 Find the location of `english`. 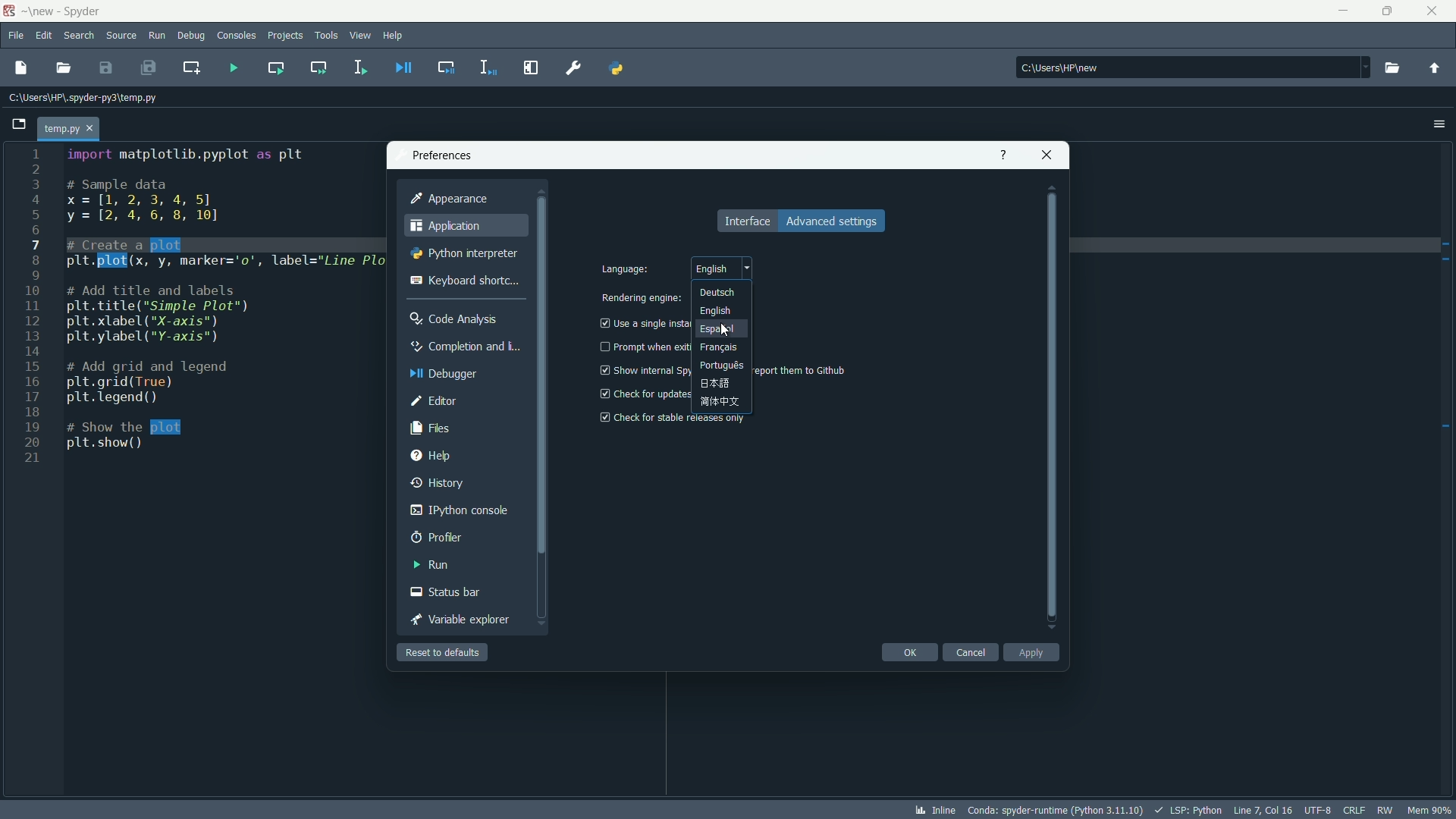

english is located at coordinates (722, 267).